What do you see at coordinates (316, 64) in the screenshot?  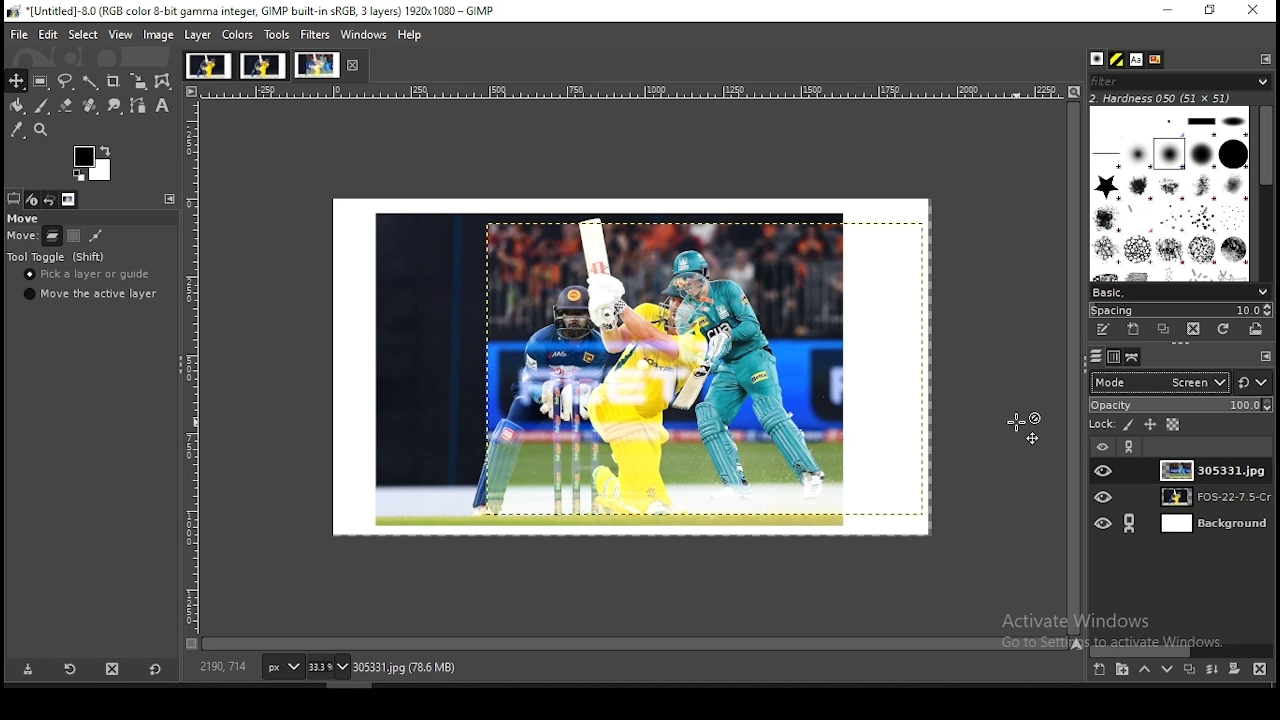 I see `image` at bounding box center [316, 64].